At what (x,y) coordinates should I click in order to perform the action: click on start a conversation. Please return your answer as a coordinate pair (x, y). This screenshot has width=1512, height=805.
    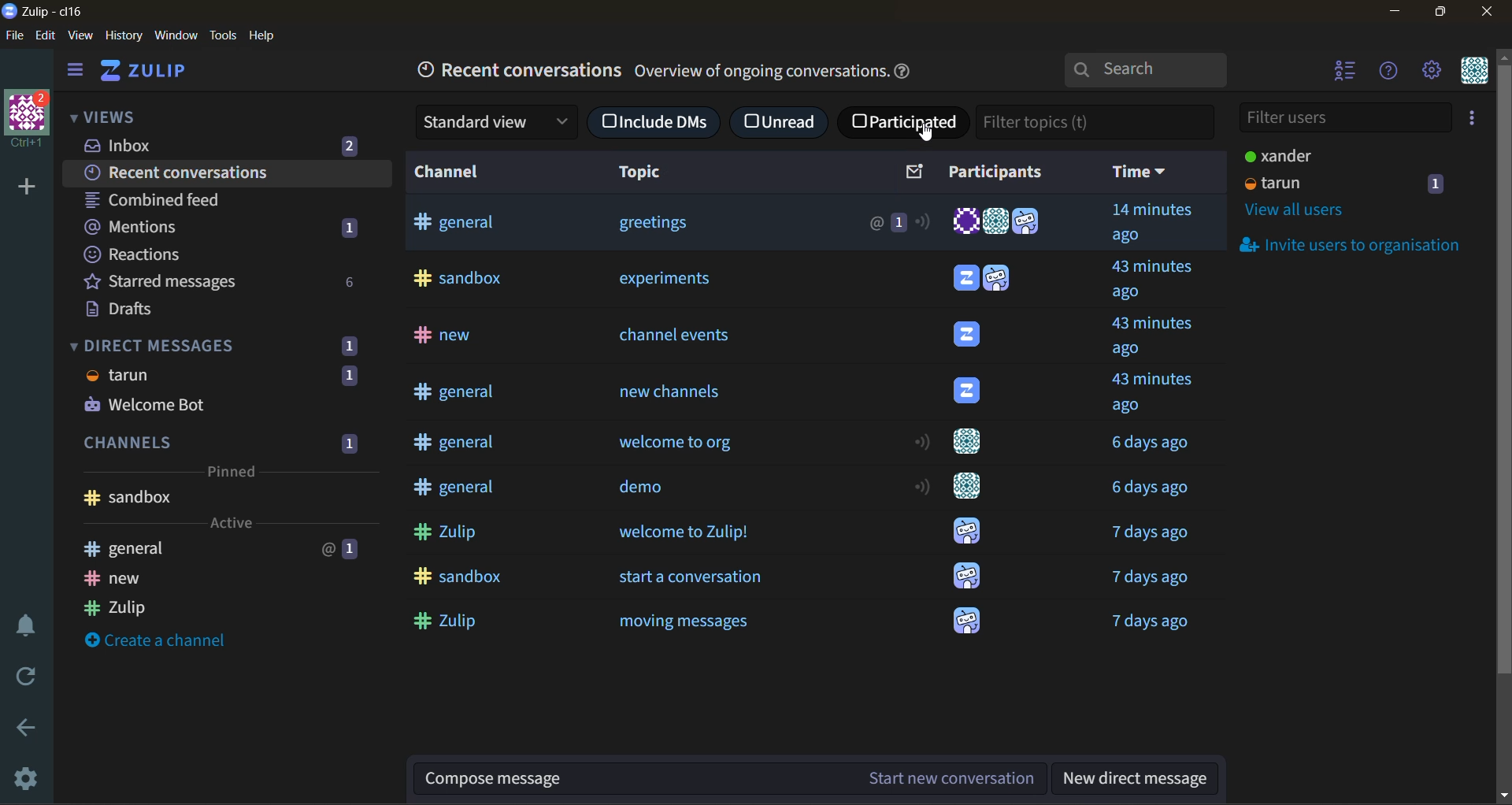
    Looking at the image, I should click on (693, 576).